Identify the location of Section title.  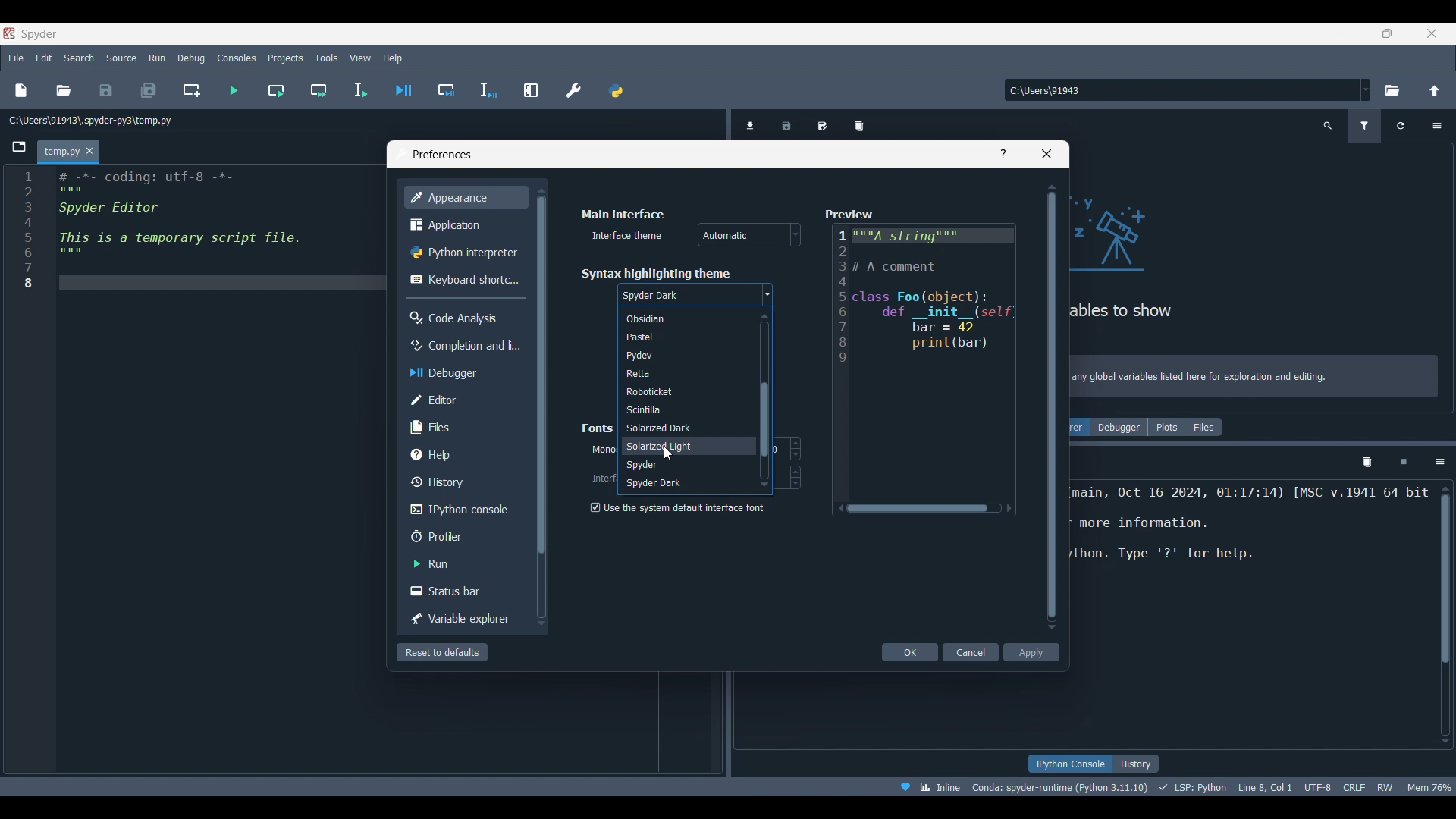
(598, 428).